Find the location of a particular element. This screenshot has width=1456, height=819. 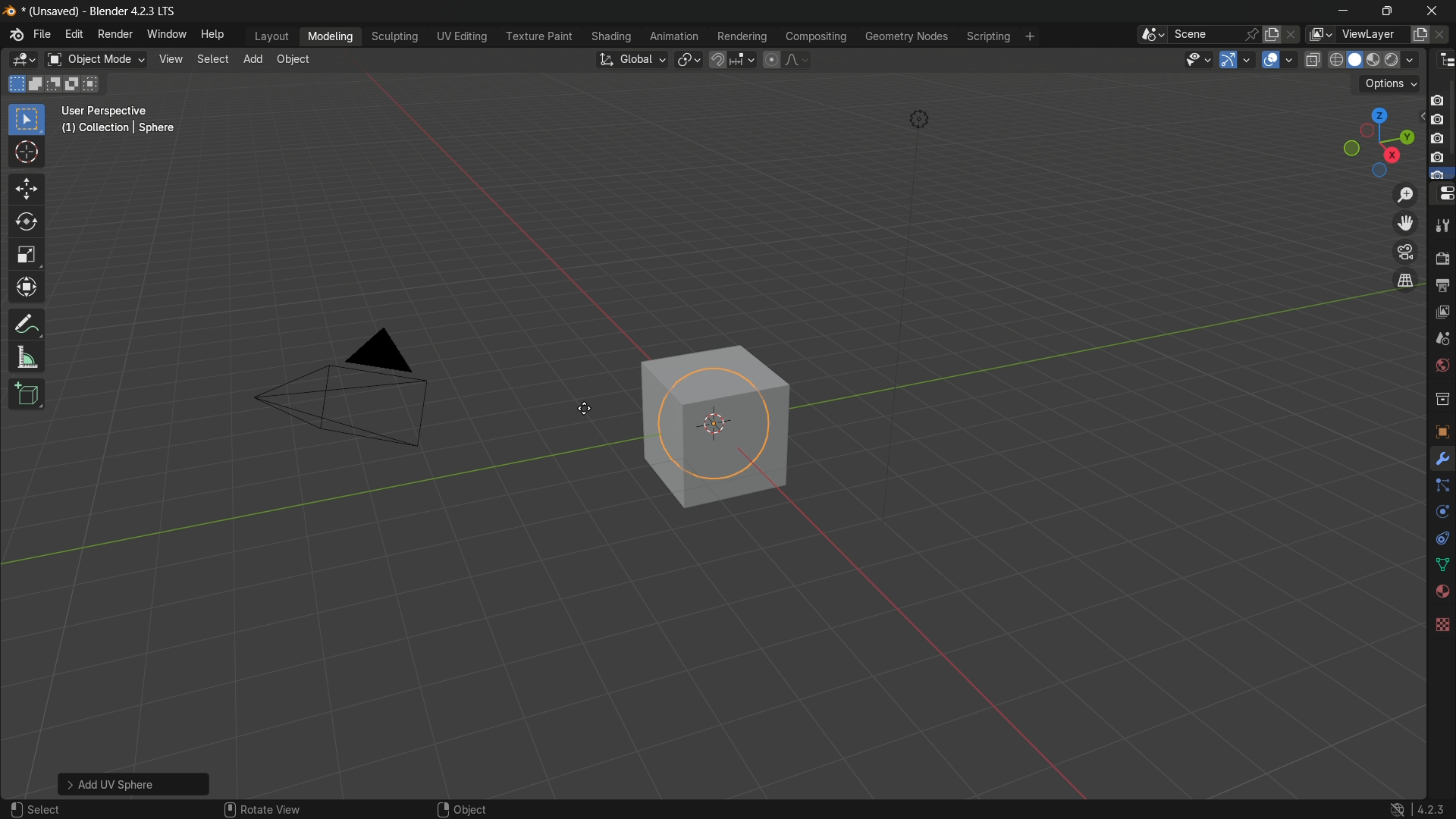

delete scenes is located at coordinates (1295, 36).